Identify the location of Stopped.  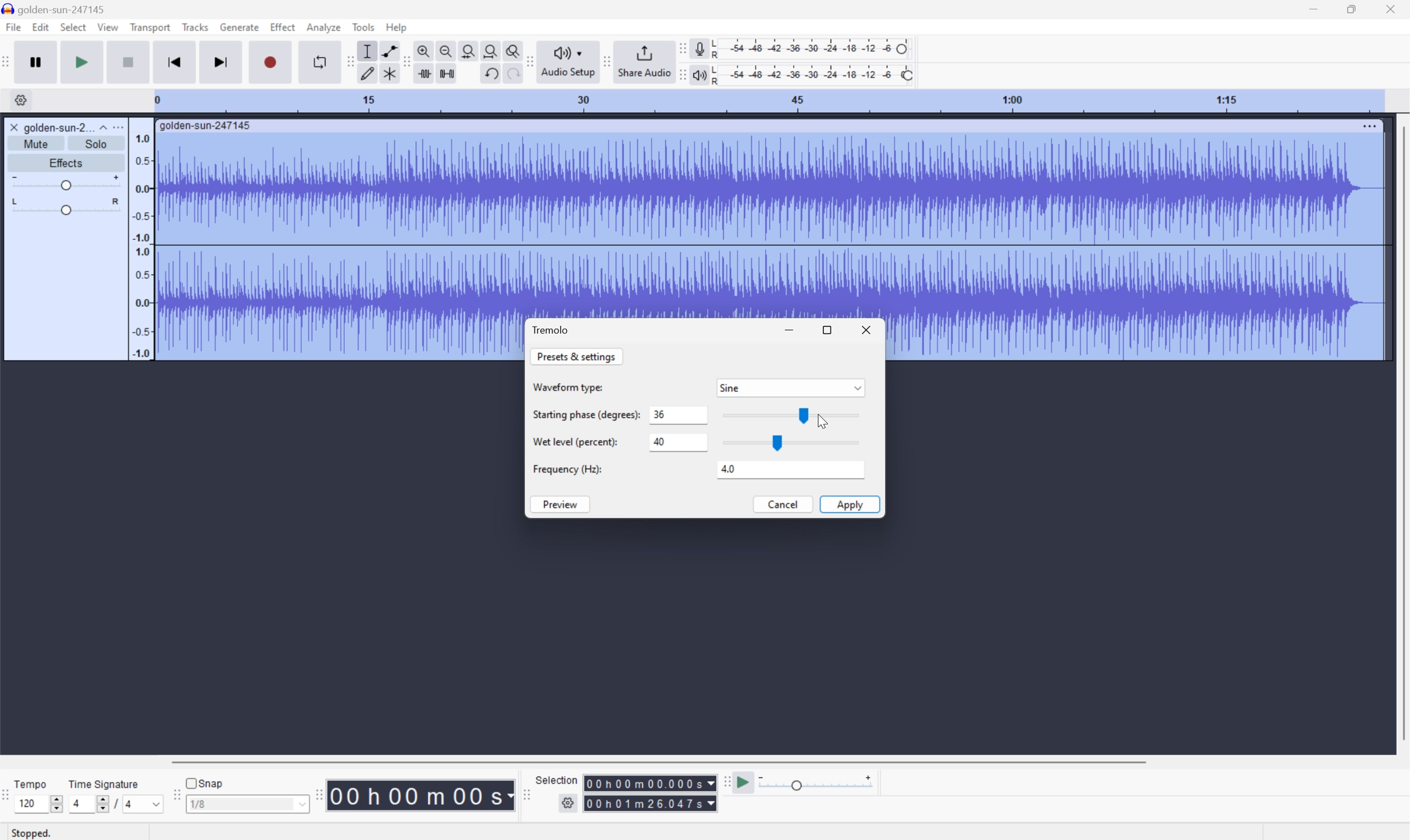
(32, 833).